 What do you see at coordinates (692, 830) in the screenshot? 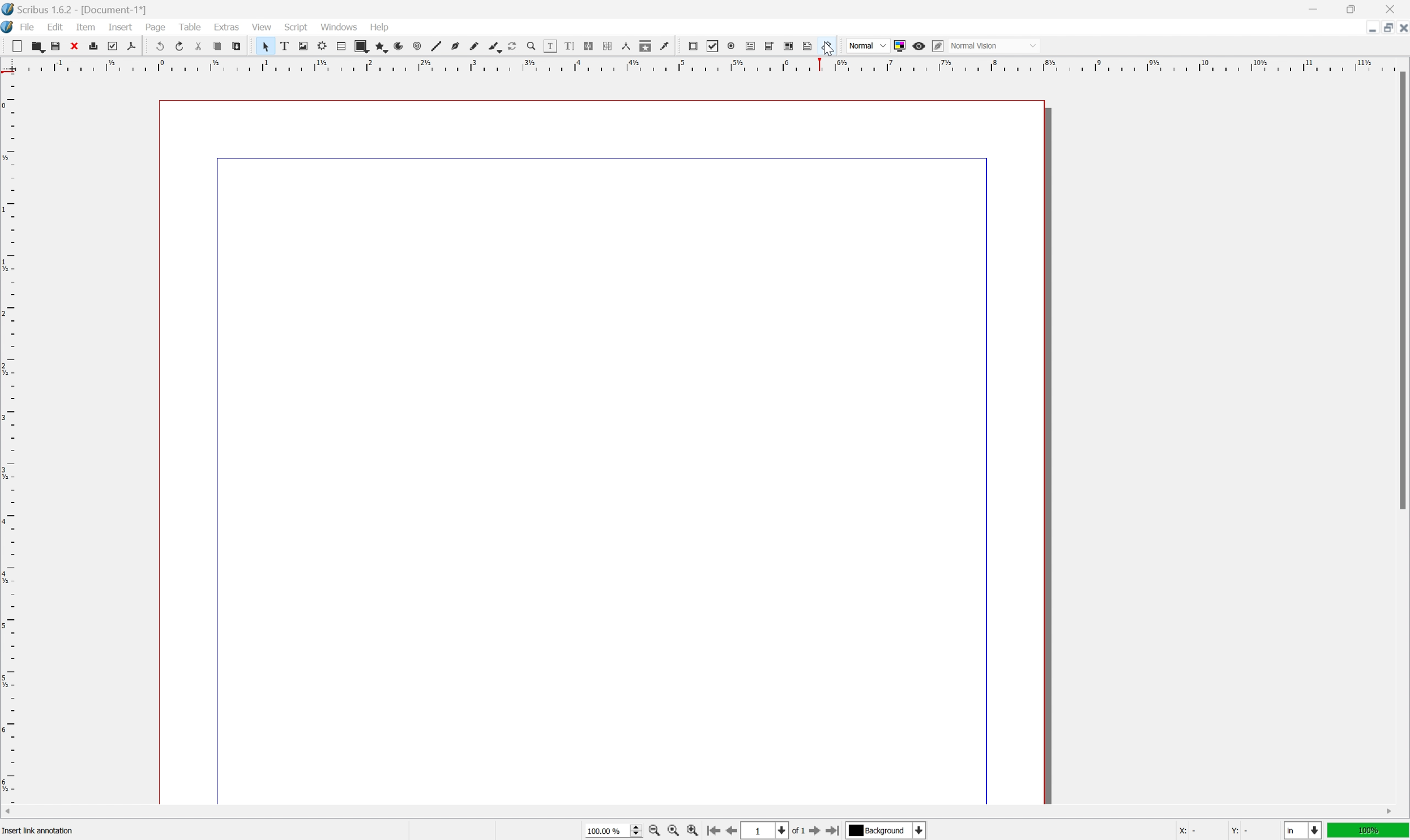
I see `zoom in` at bounding box center [692, 830].